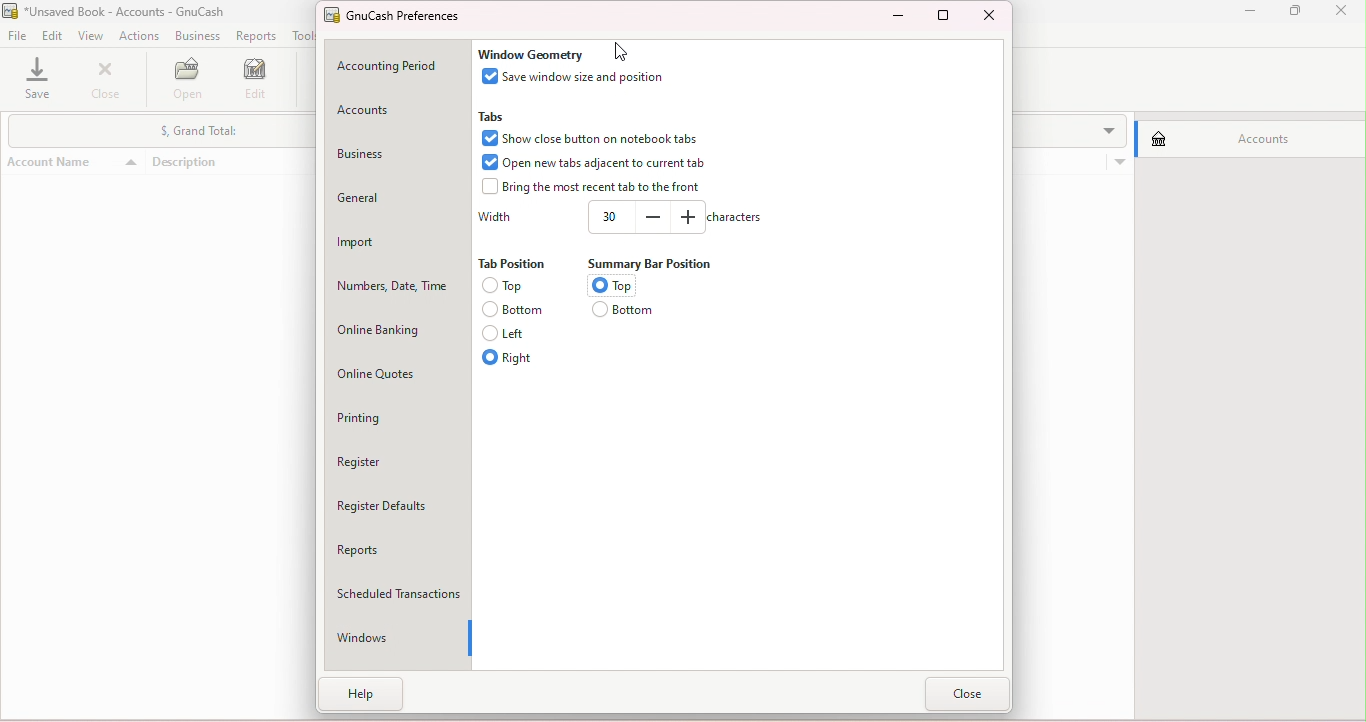 The image size is (1366, 722). What do you see at coordinates (400, 507) in the screenshot?
I see `Register defaults` at bounding box center [400, 507].